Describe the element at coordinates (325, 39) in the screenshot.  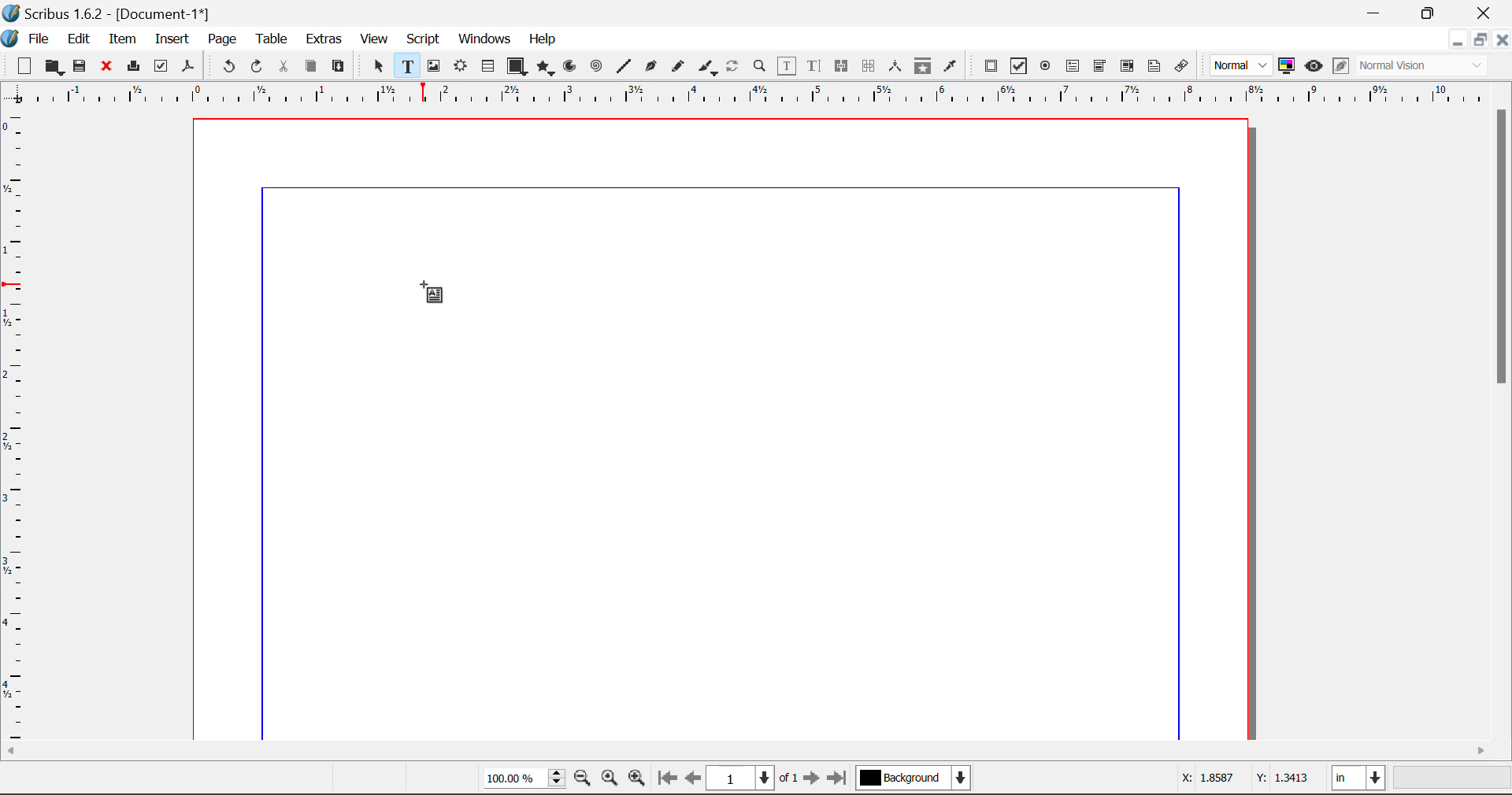
I see `Extras` at that location.